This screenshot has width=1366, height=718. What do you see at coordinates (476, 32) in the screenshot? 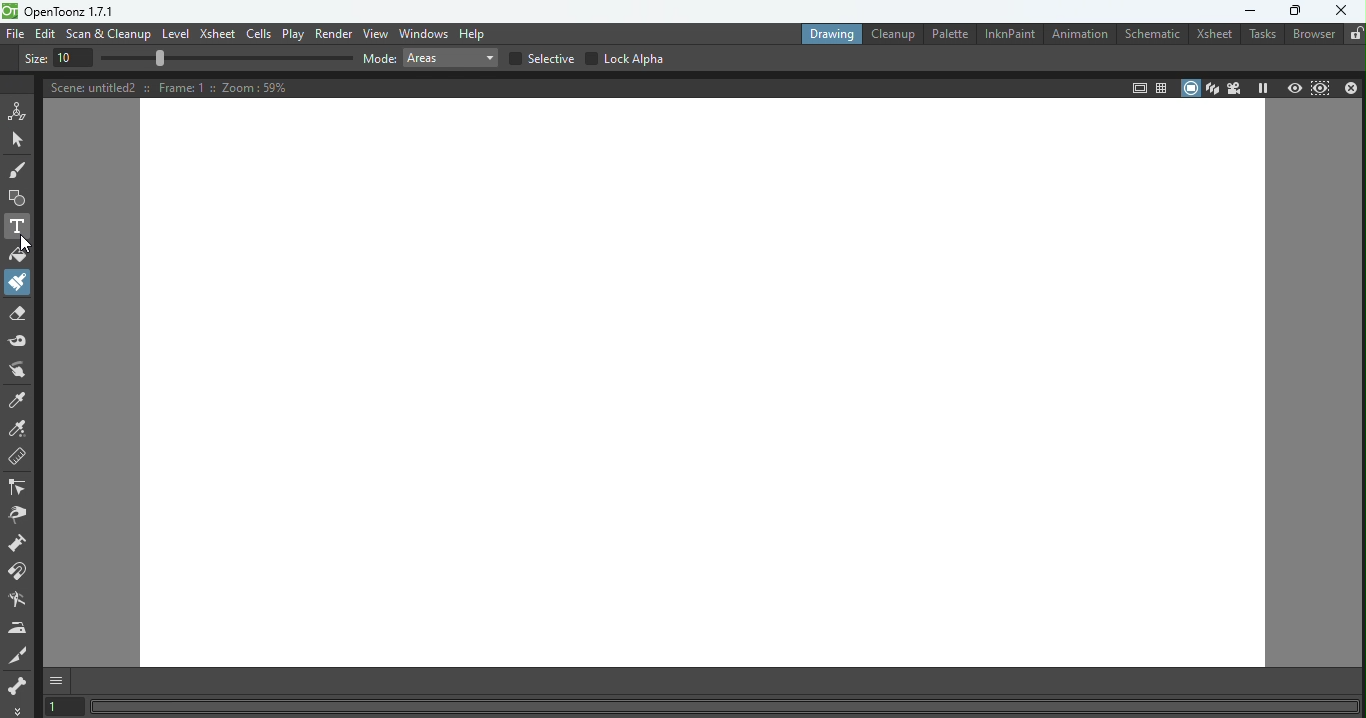
I see `Help` at bounding box center [476, 32].